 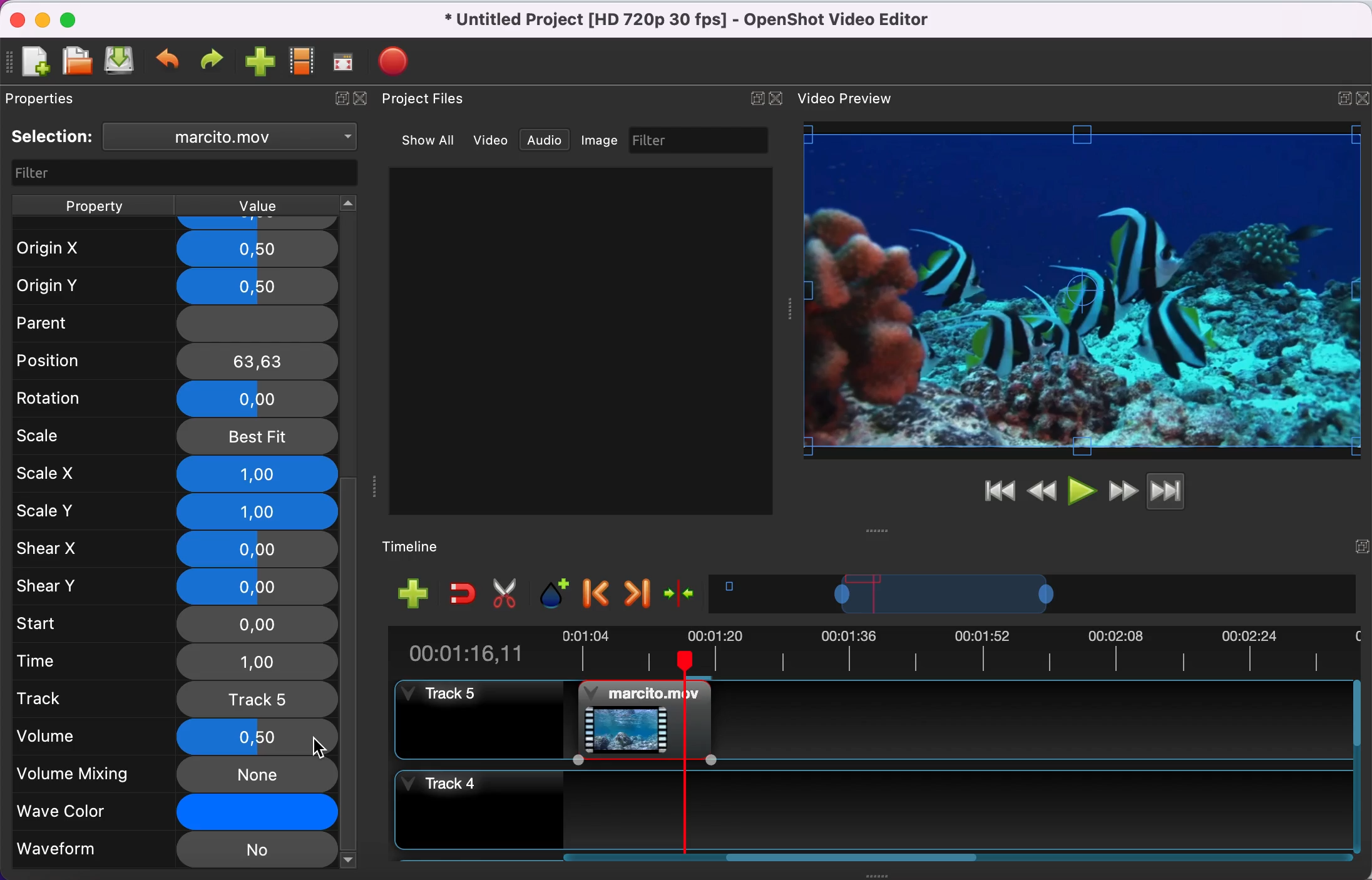 I want to click on save file, so click(x=121, y=63).